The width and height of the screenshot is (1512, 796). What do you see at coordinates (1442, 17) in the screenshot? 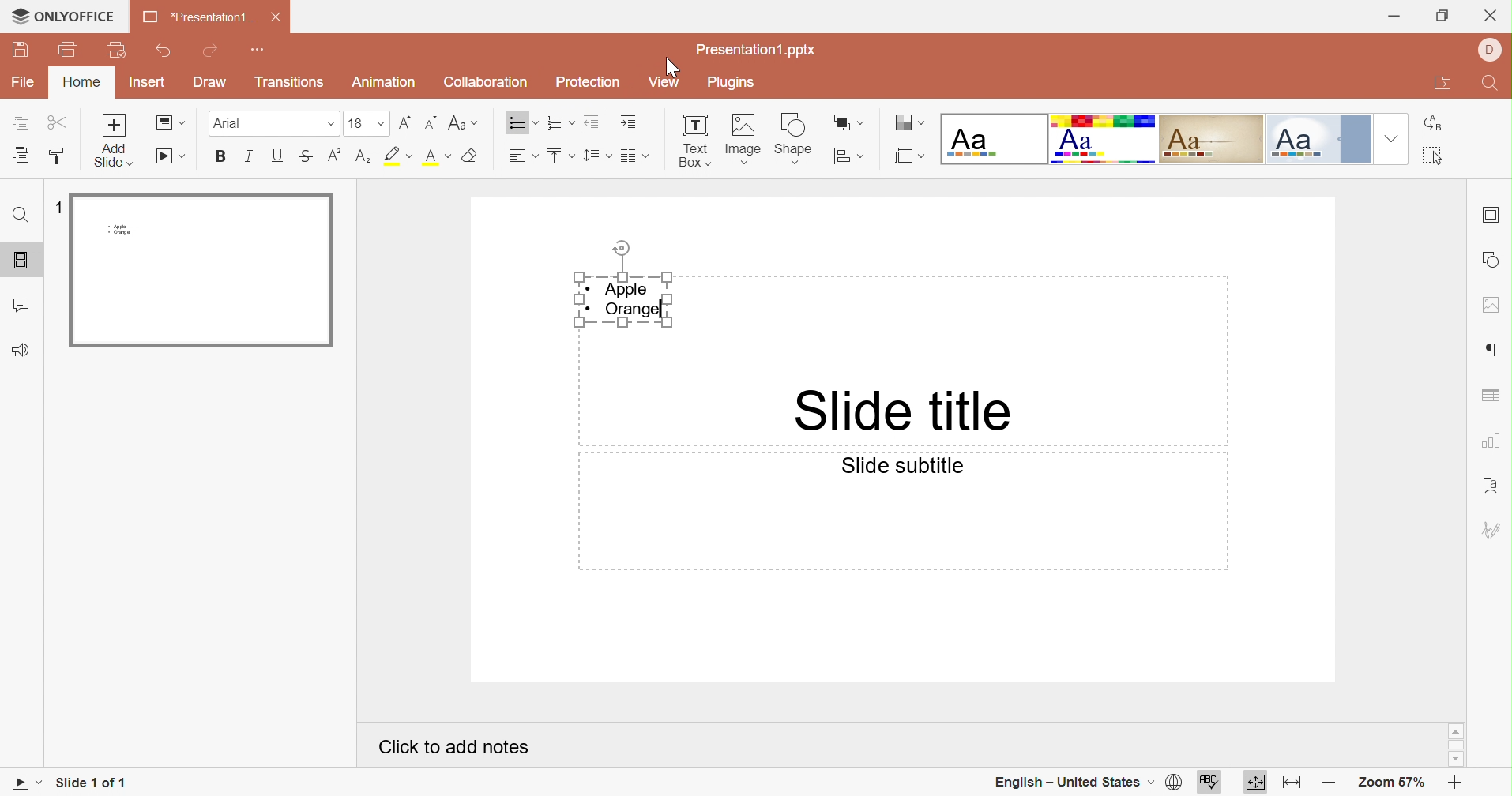
I see `Restore Down` at bounding box center [1442, 17].